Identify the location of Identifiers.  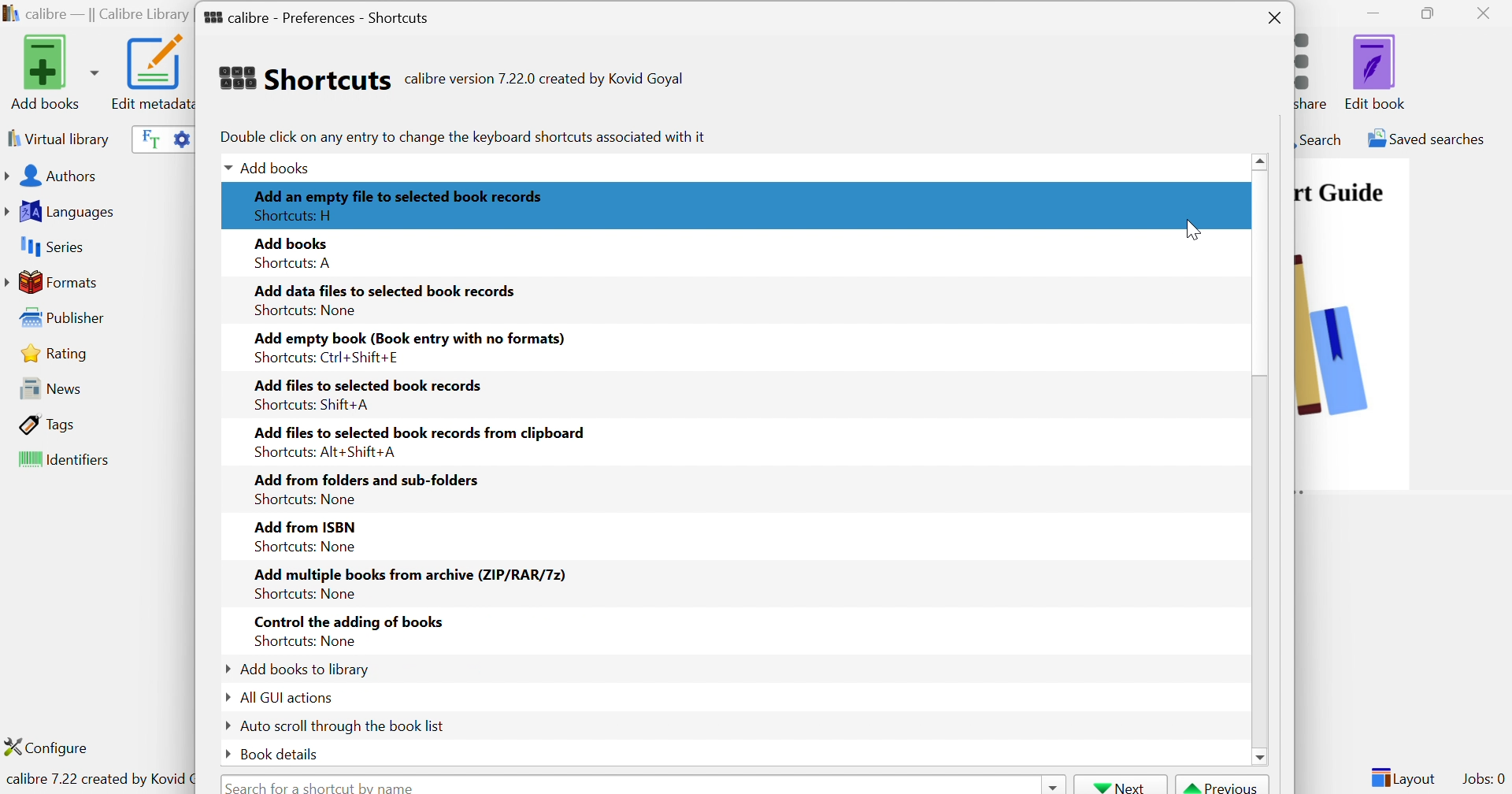
(67, 461).